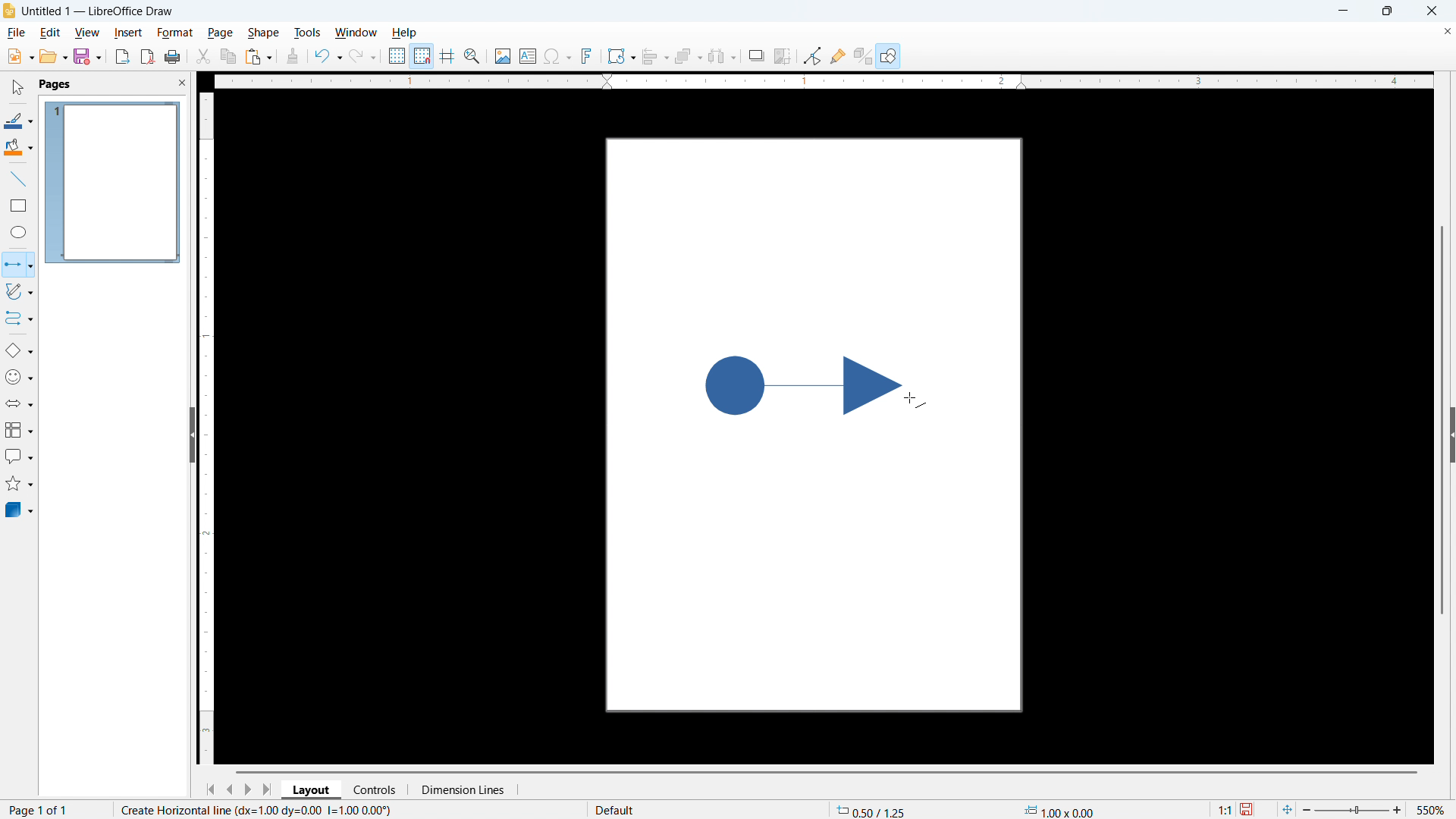  I want to click on show Glue Point functions , so click(837, 55).